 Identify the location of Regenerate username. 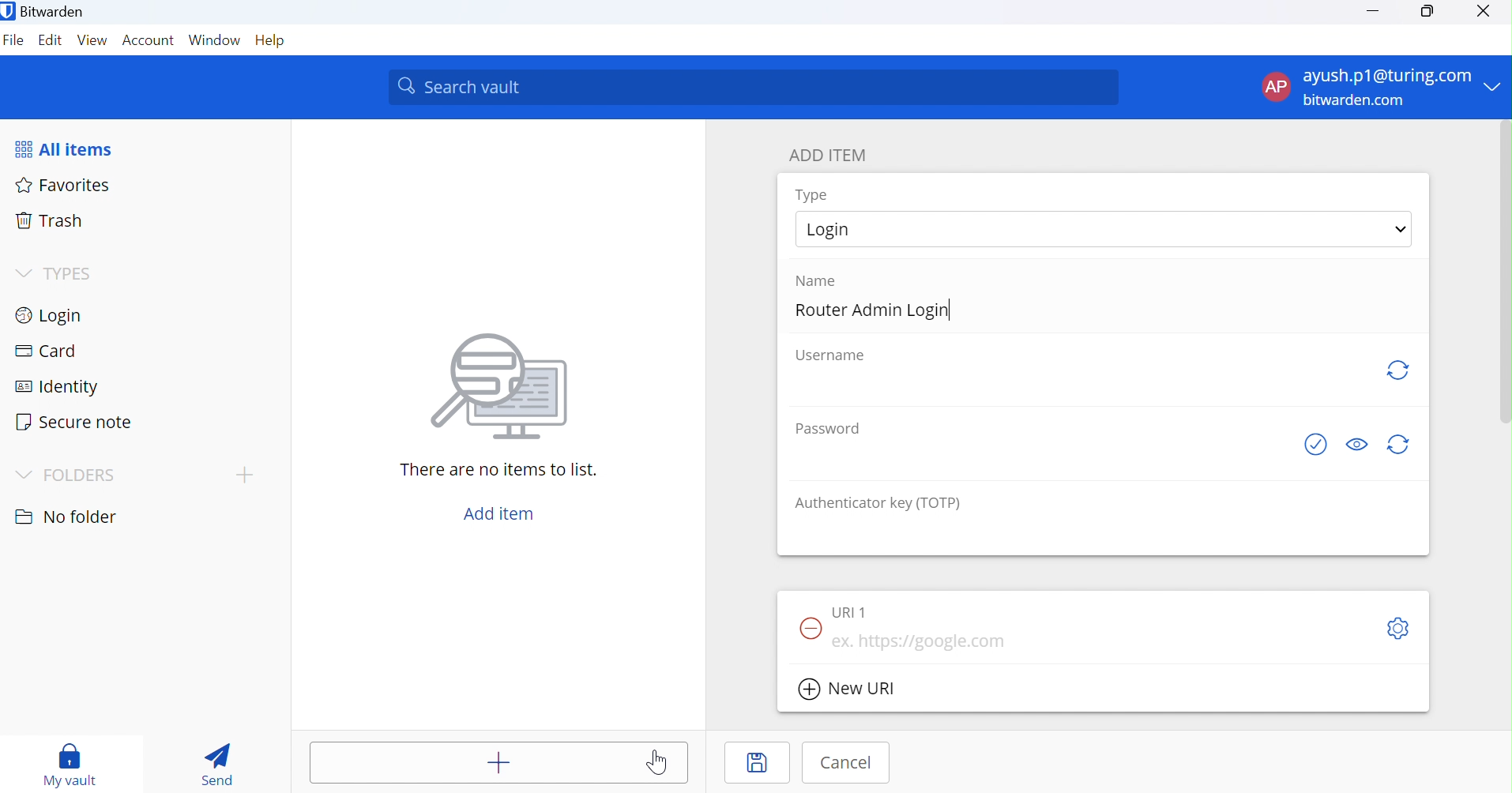
(1397, 371).